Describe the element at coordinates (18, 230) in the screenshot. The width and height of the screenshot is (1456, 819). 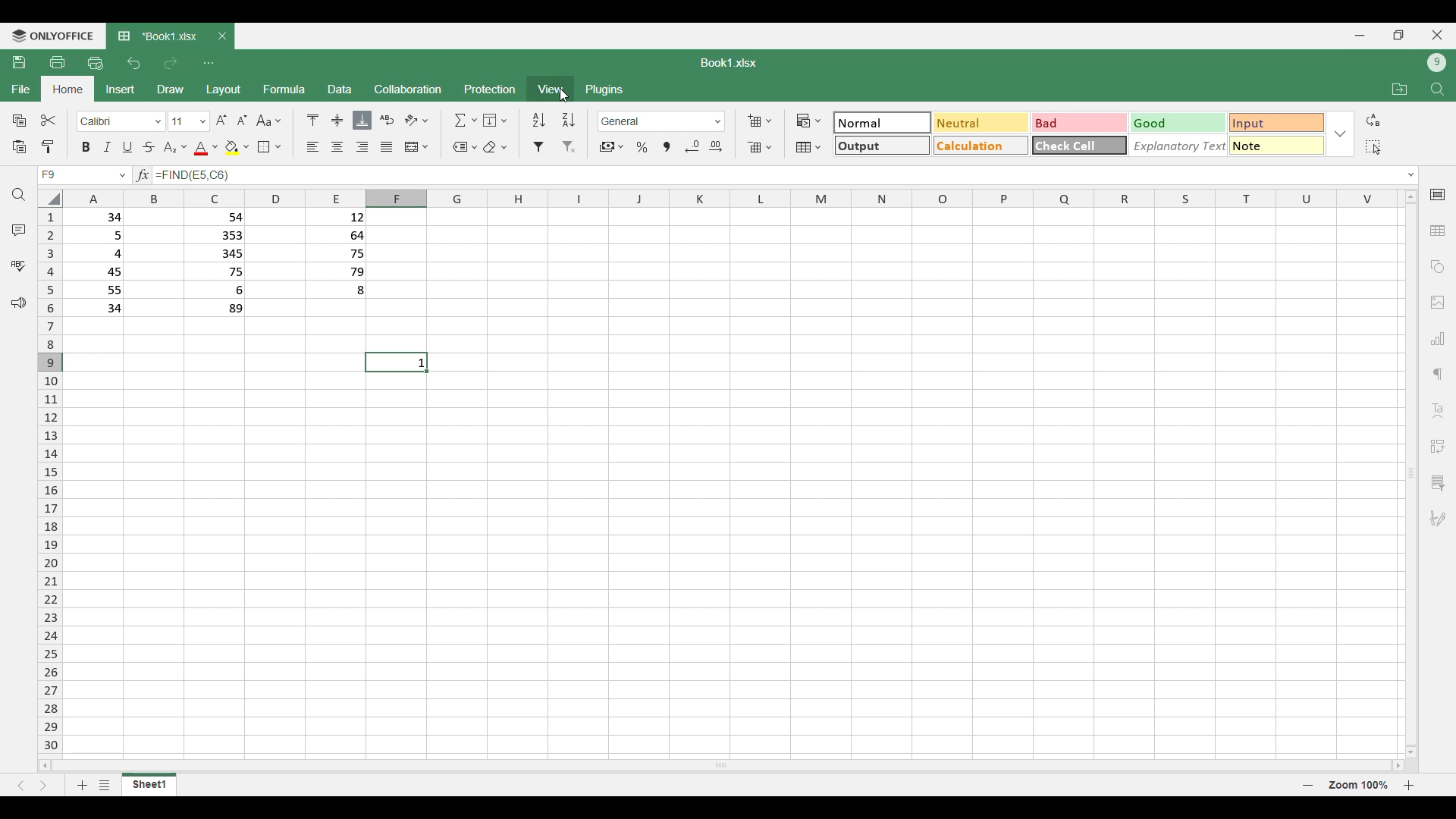
I see `Comments` at that location.